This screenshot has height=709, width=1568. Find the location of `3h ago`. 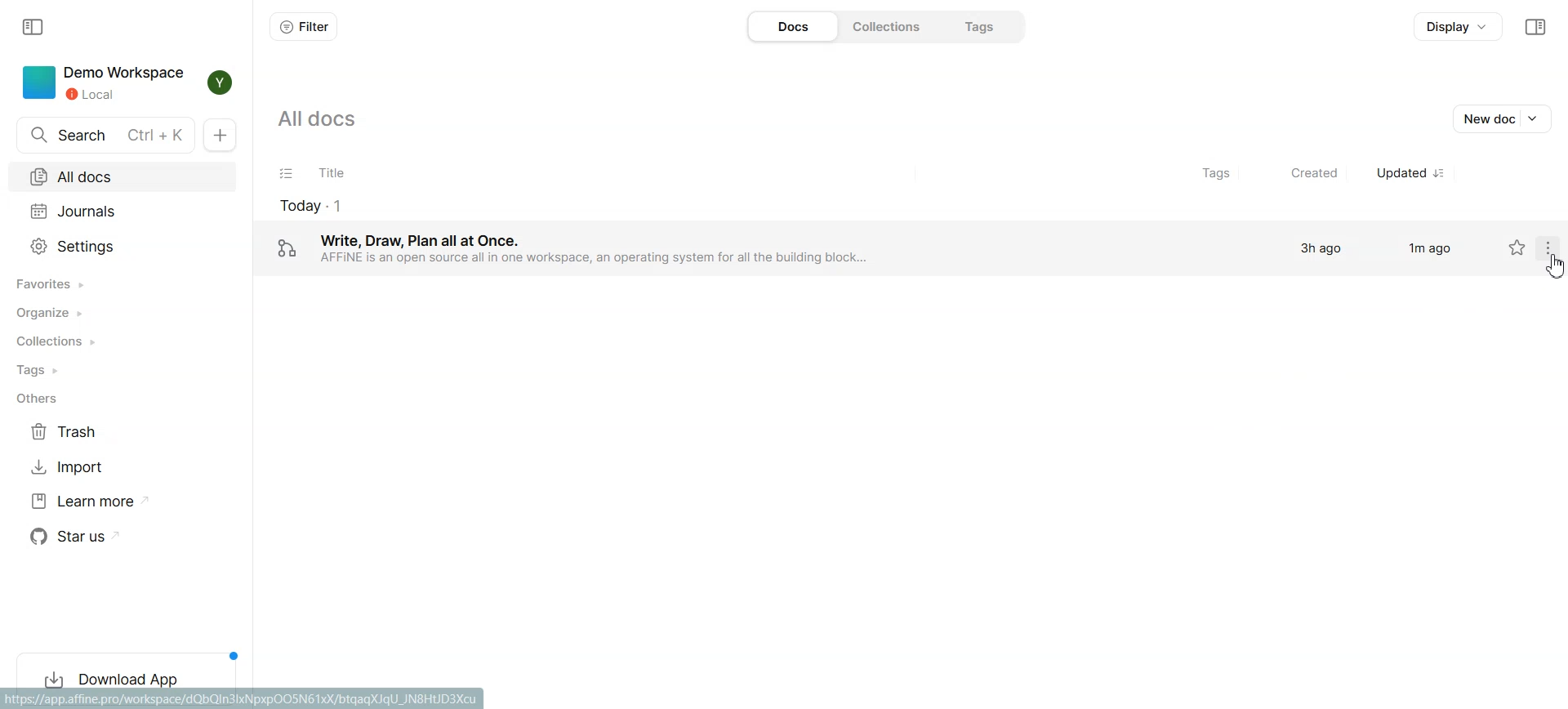

3h ago is located at coordinates (1321, 250).